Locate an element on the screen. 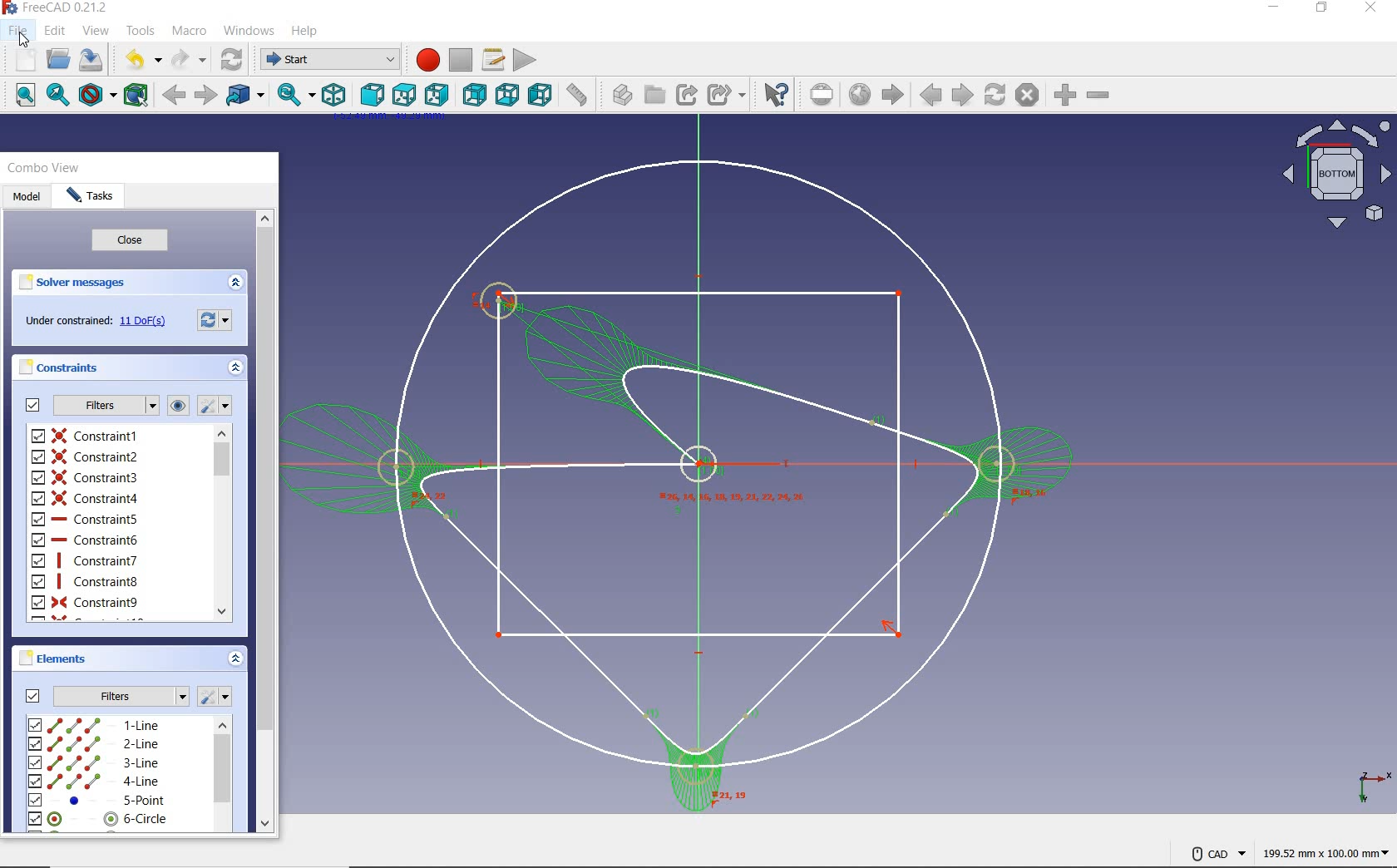 Image resolution: width=1397 pixels, height=868 pixels. open is located at coordinates (59, 62).